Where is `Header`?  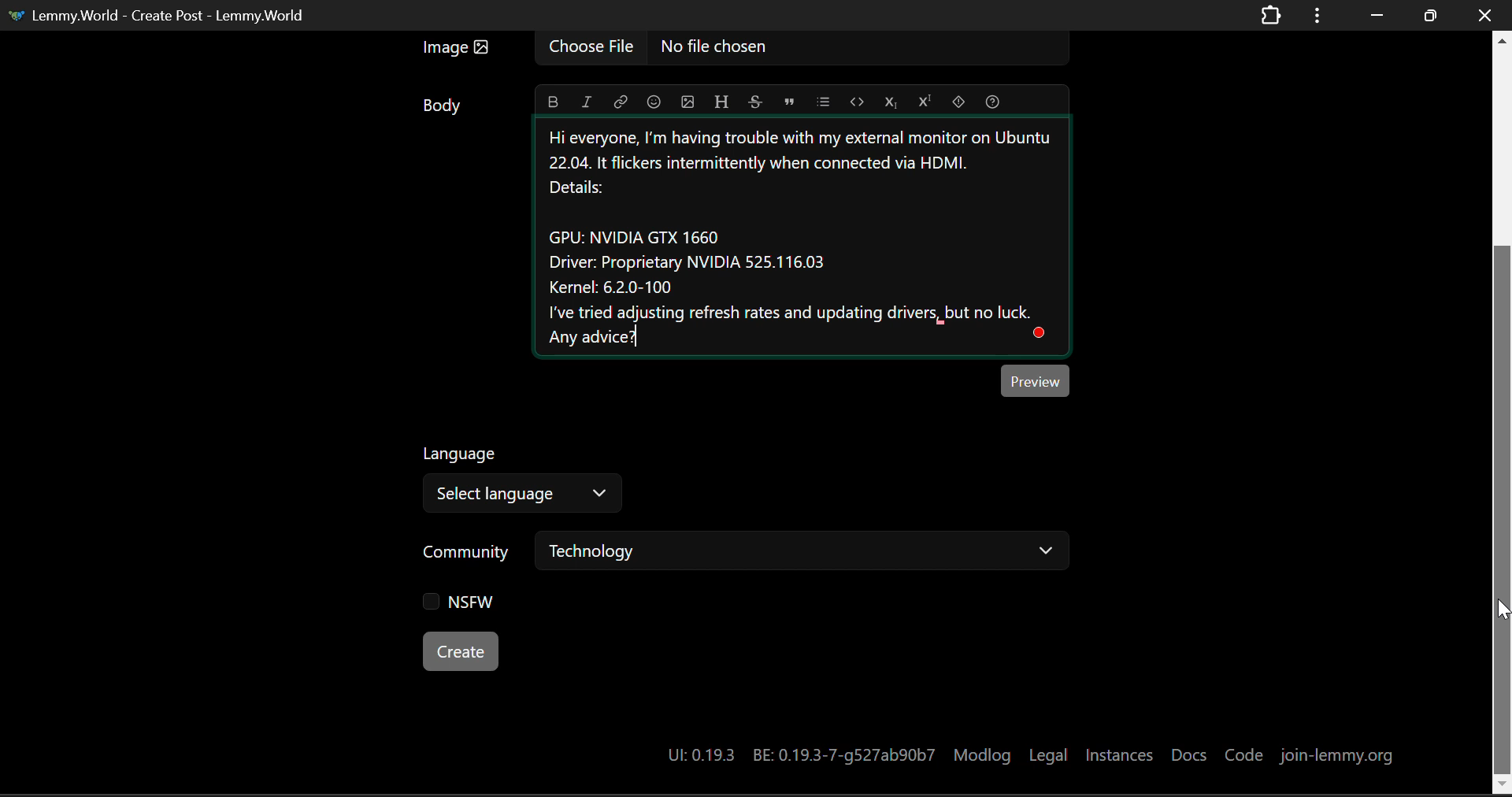
Header is located at coordinates (720, 99).